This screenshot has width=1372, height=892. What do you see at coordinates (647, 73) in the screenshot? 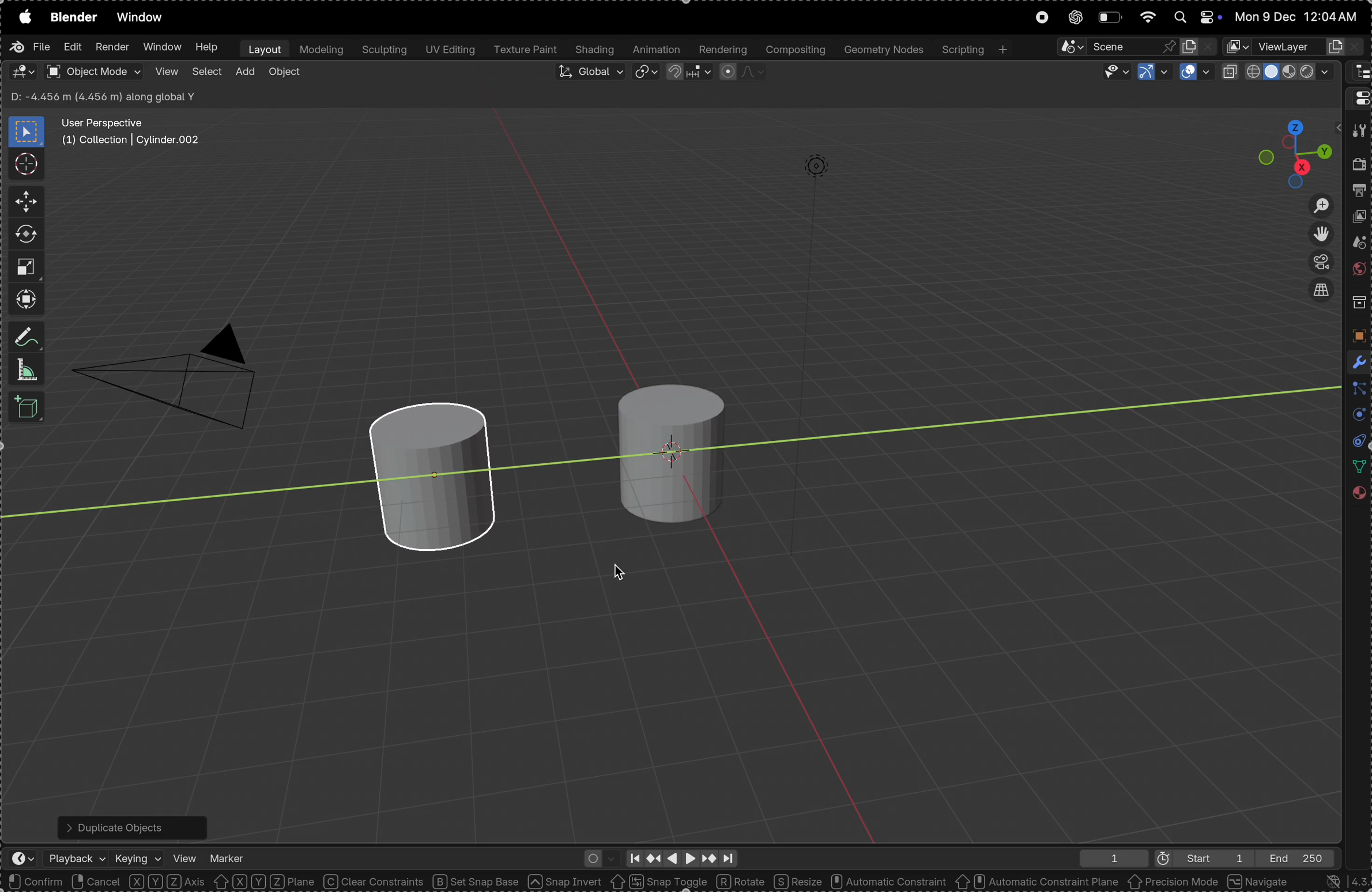
I see `transform pivoit point` at bounding box center [647, 73].